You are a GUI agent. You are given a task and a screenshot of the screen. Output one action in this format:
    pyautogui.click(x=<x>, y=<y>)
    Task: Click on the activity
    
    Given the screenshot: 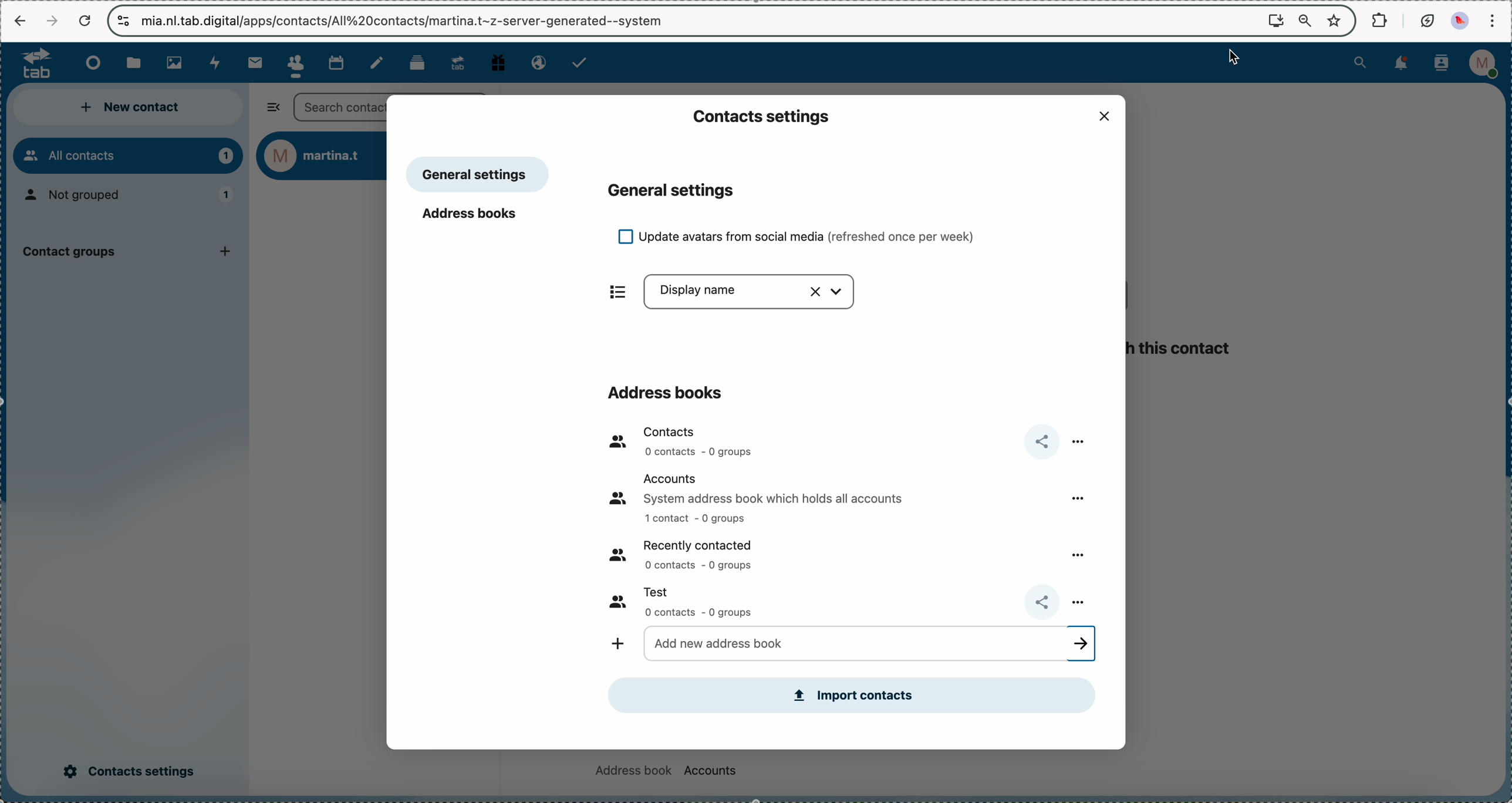 What is the action you would take?
    pyautogui.click(x=218, y=63)
    